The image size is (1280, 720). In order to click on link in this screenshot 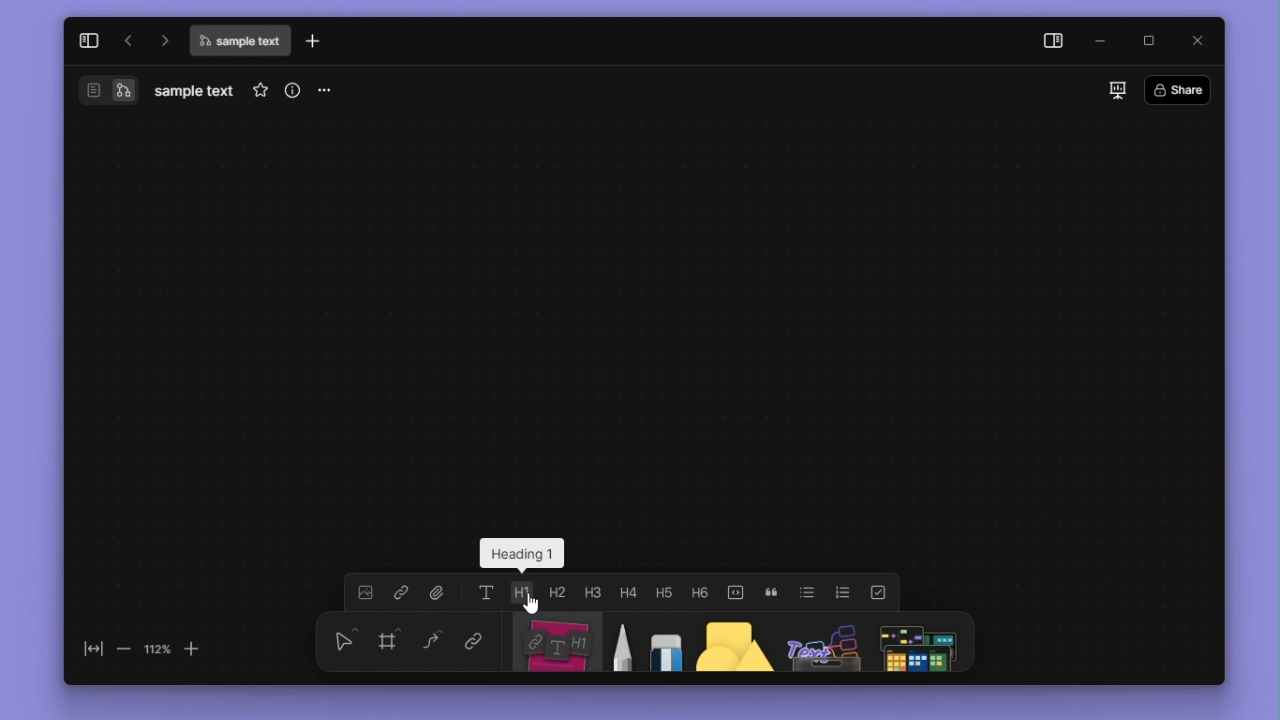, I will do `click(474, 639)`.